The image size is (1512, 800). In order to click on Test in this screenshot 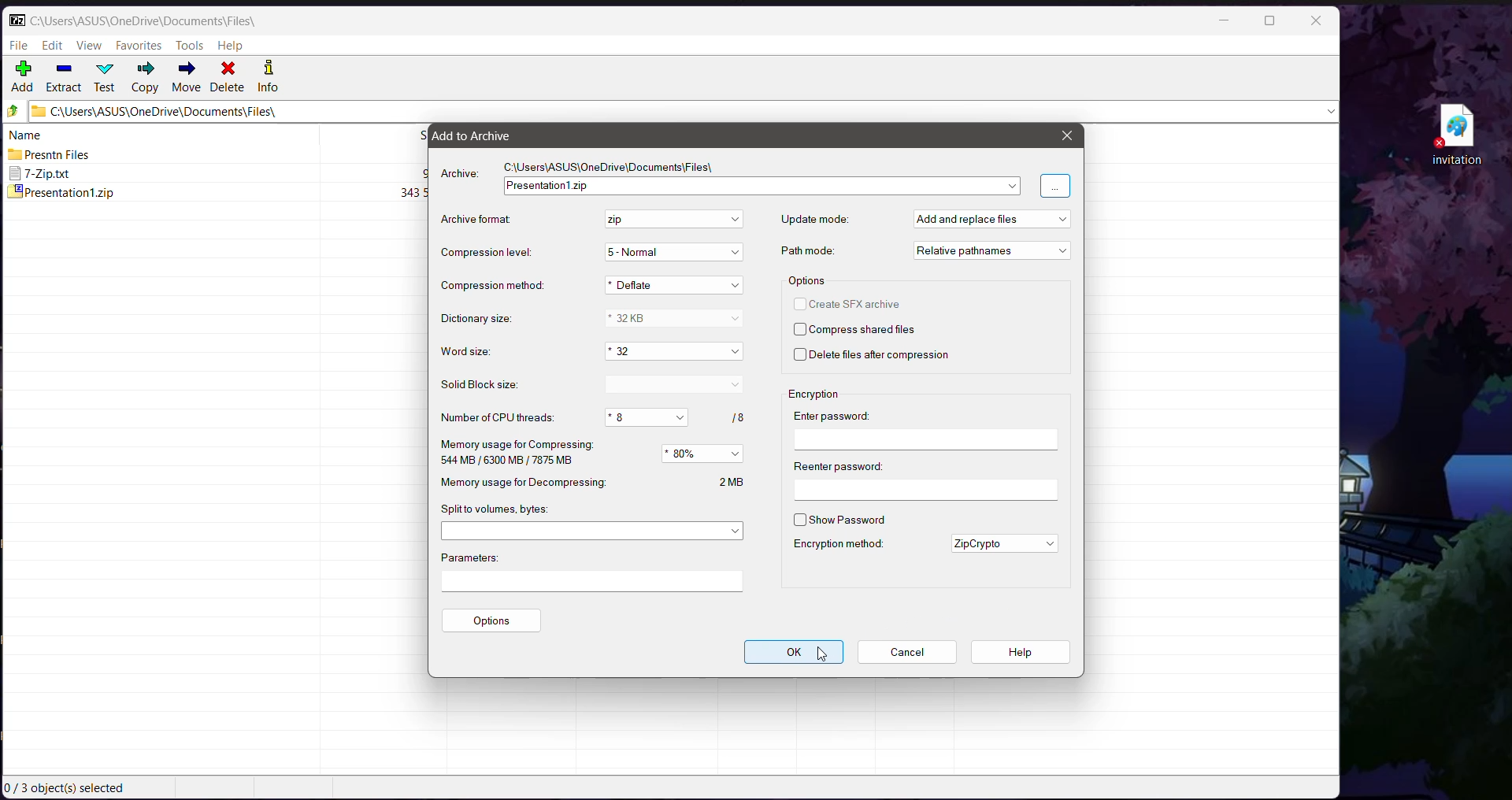, I will do `click(106, 76)`.